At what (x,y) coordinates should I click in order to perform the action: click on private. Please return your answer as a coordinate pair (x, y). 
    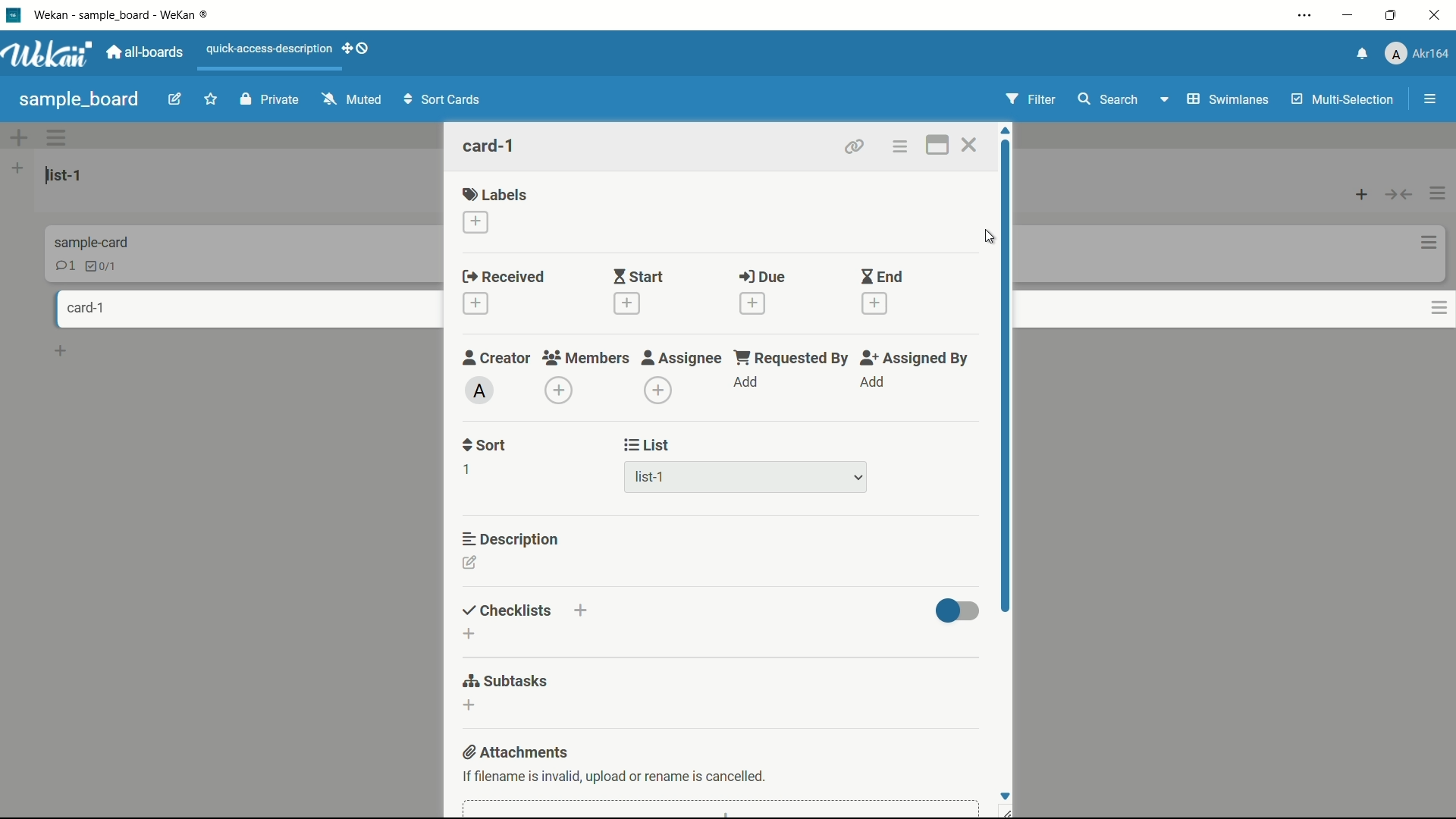
    Looking at the image, I should click on (265, 99).